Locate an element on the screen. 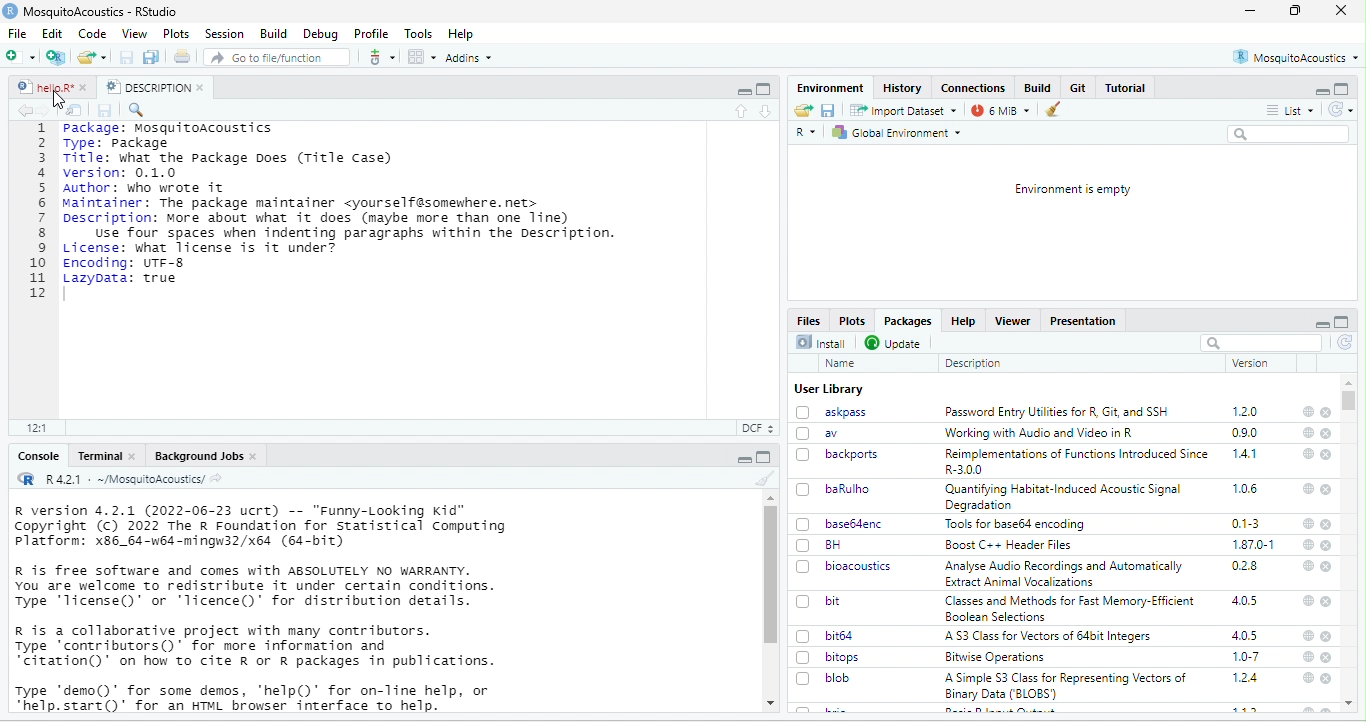 This screenshot has width=1366, height=722. maximize is located at coordinates (743, 457).